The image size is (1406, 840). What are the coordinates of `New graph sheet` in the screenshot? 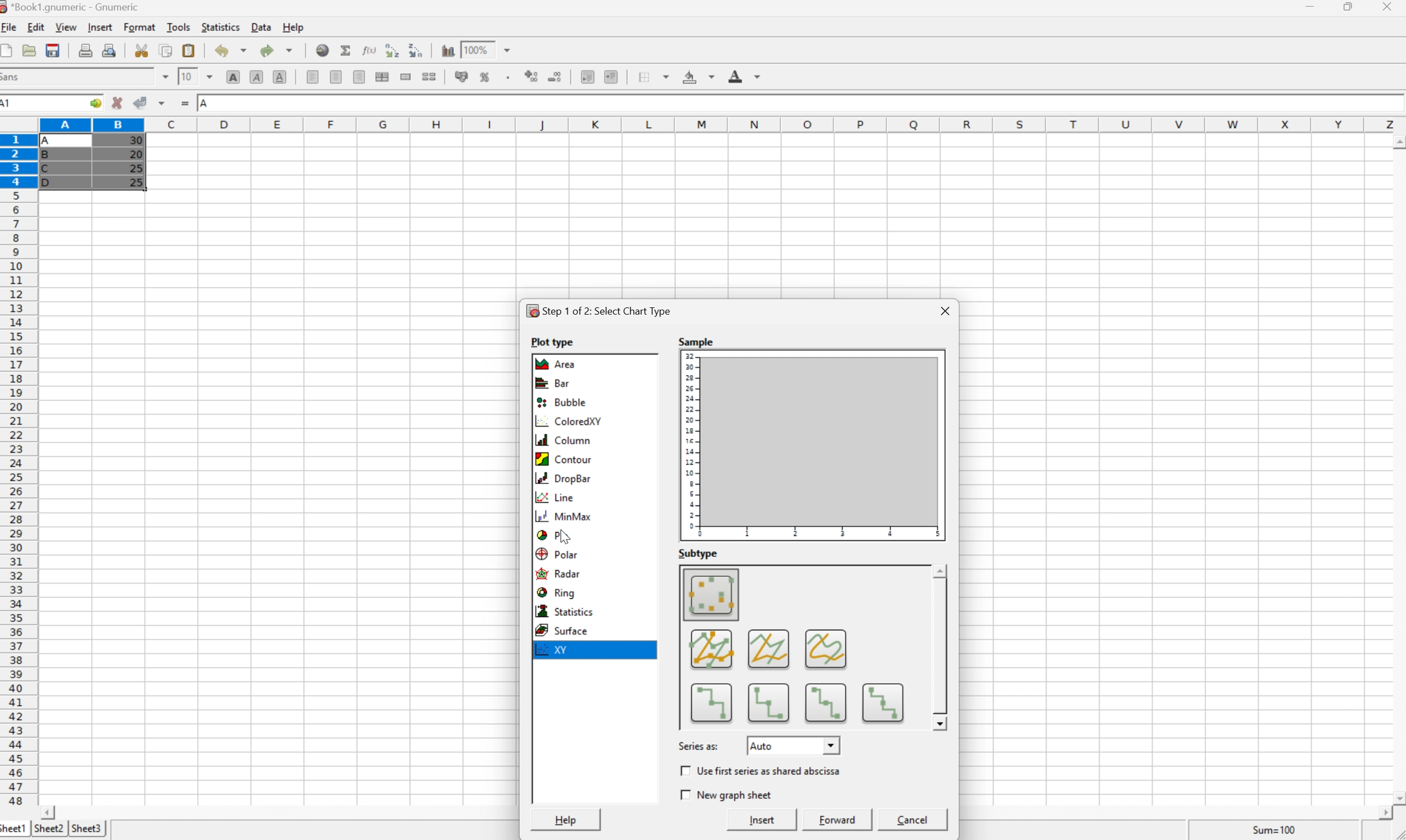 It's located at (734, 794).